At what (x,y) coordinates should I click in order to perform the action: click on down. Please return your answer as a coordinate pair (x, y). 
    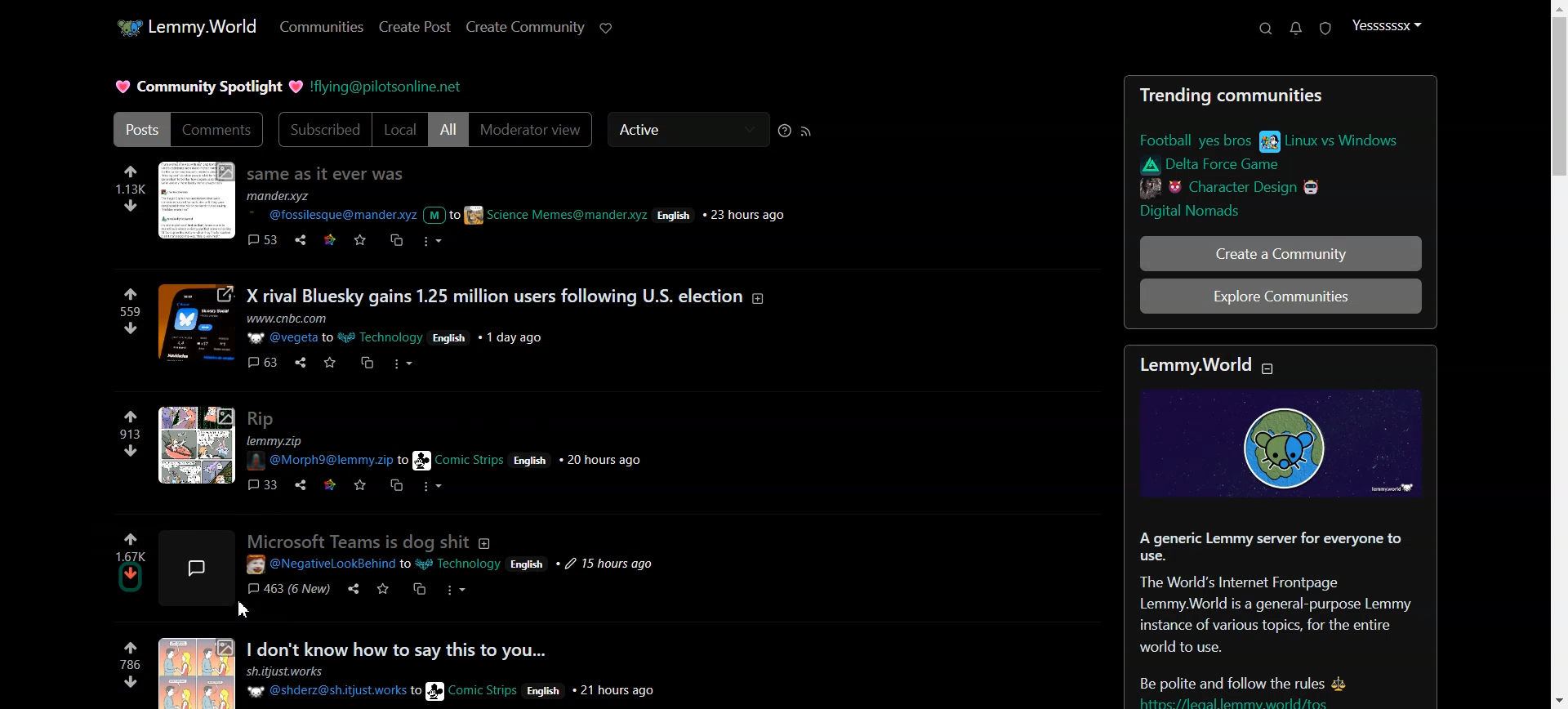
    Looking at the image, I should click on (131, 681).